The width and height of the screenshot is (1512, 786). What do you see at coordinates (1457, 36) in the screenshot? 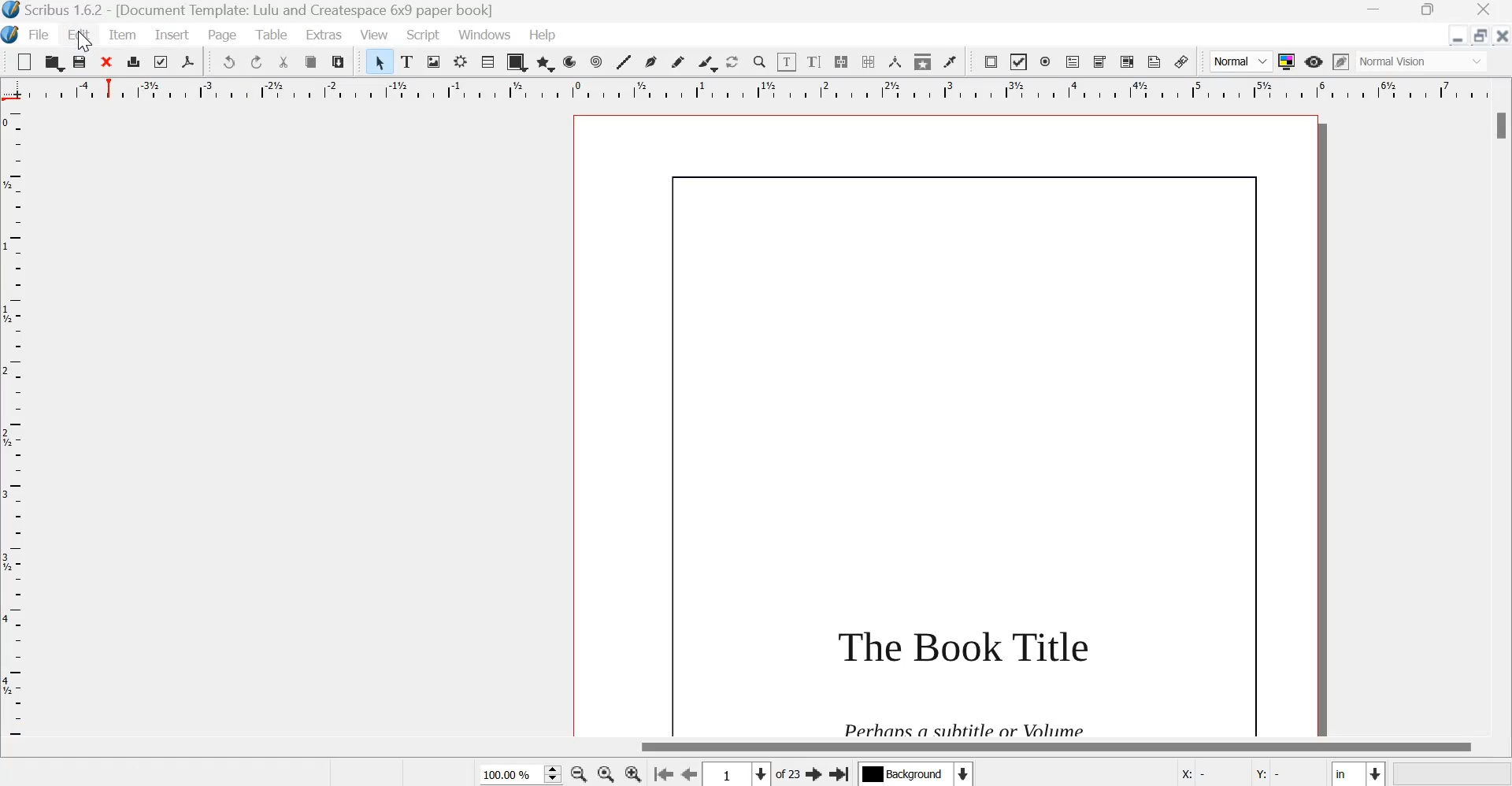
I see `Minimize` at bounding box center [1457, 36].